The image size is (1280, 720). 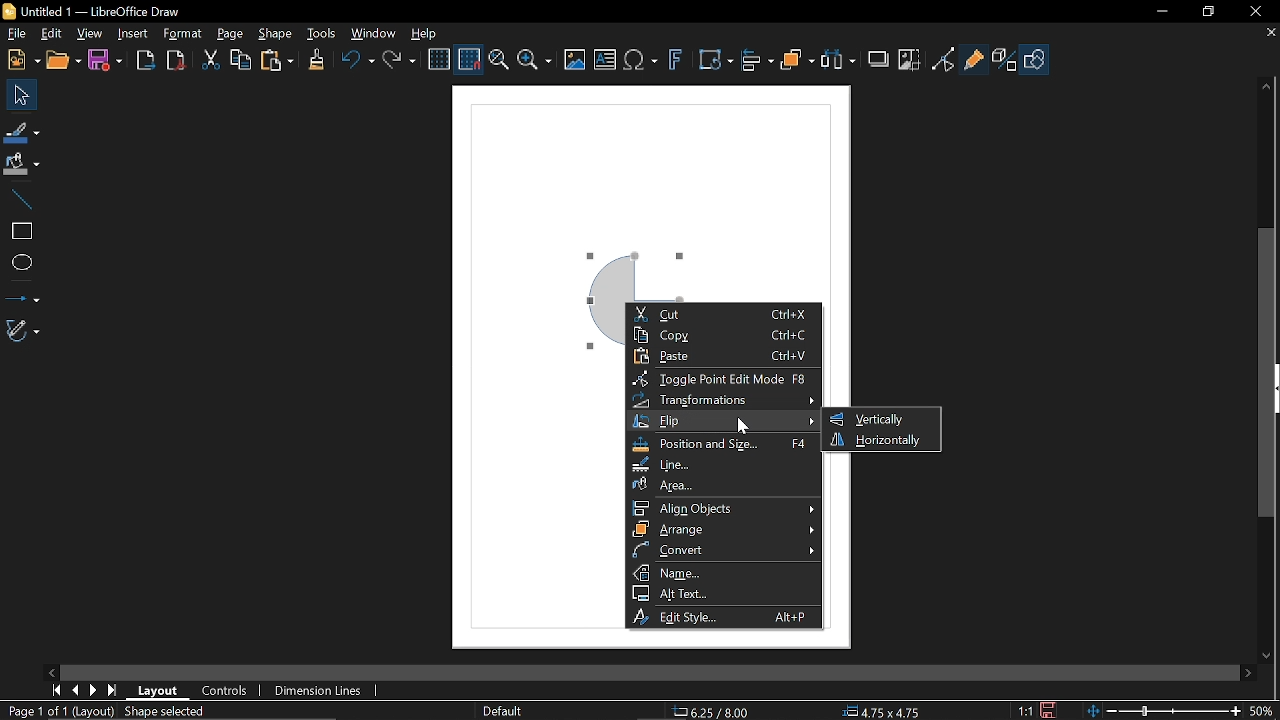 I want to click on Paste, so click(x=277, y=62).